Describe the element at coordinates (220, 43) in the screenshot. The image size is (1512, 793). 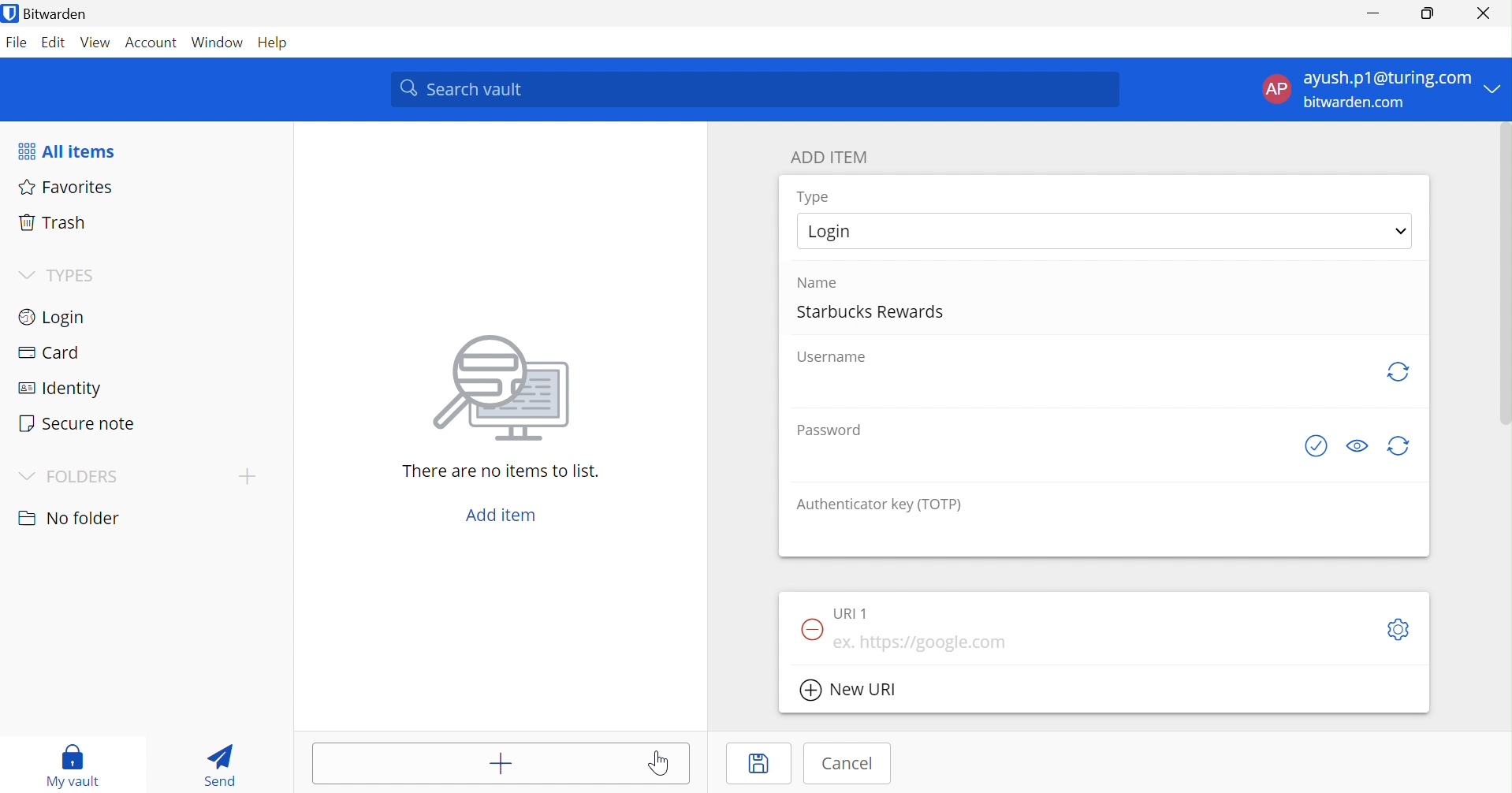
I see `Window` at that location.